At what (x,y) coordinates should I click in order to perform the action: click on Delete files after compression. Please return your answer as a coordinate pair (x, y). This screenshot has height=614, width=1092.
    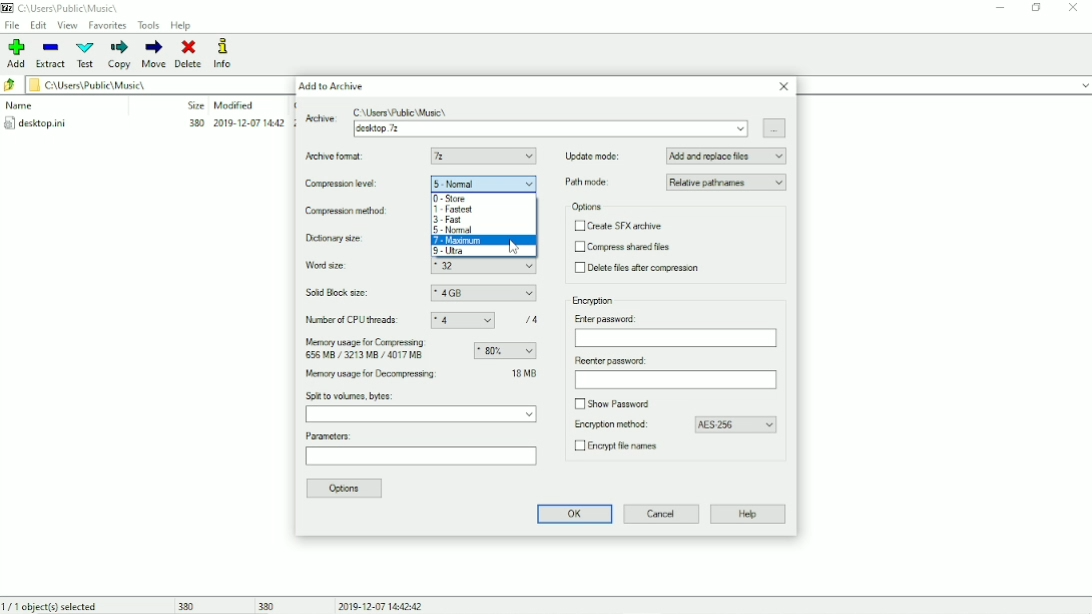
    Looking at the image, I should click on (640, 268).